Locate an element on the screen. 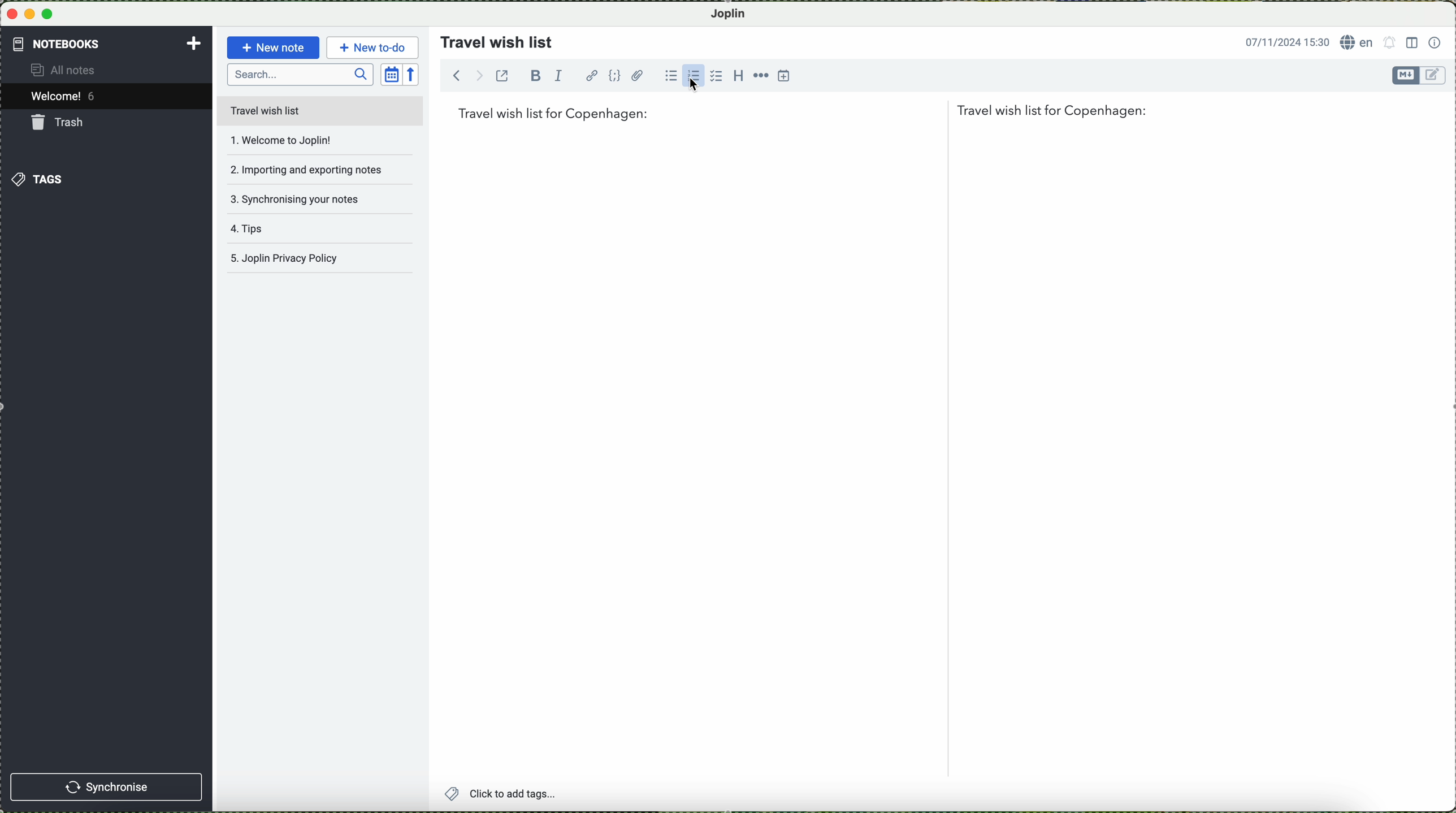 The image size is (1456, 813). date and hour is located at coordinates (1283, 41).